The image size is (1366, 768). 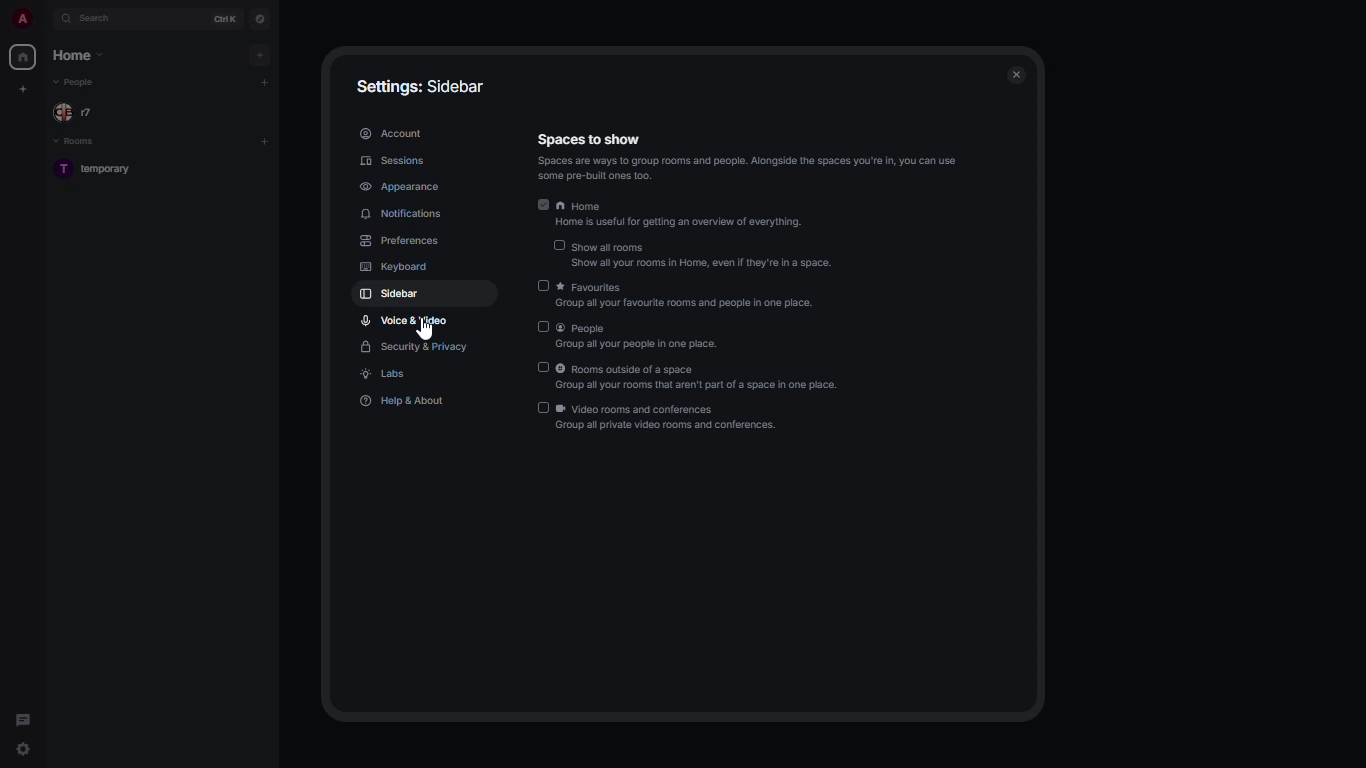 I want to click on labs, so click(x=385, y=375).